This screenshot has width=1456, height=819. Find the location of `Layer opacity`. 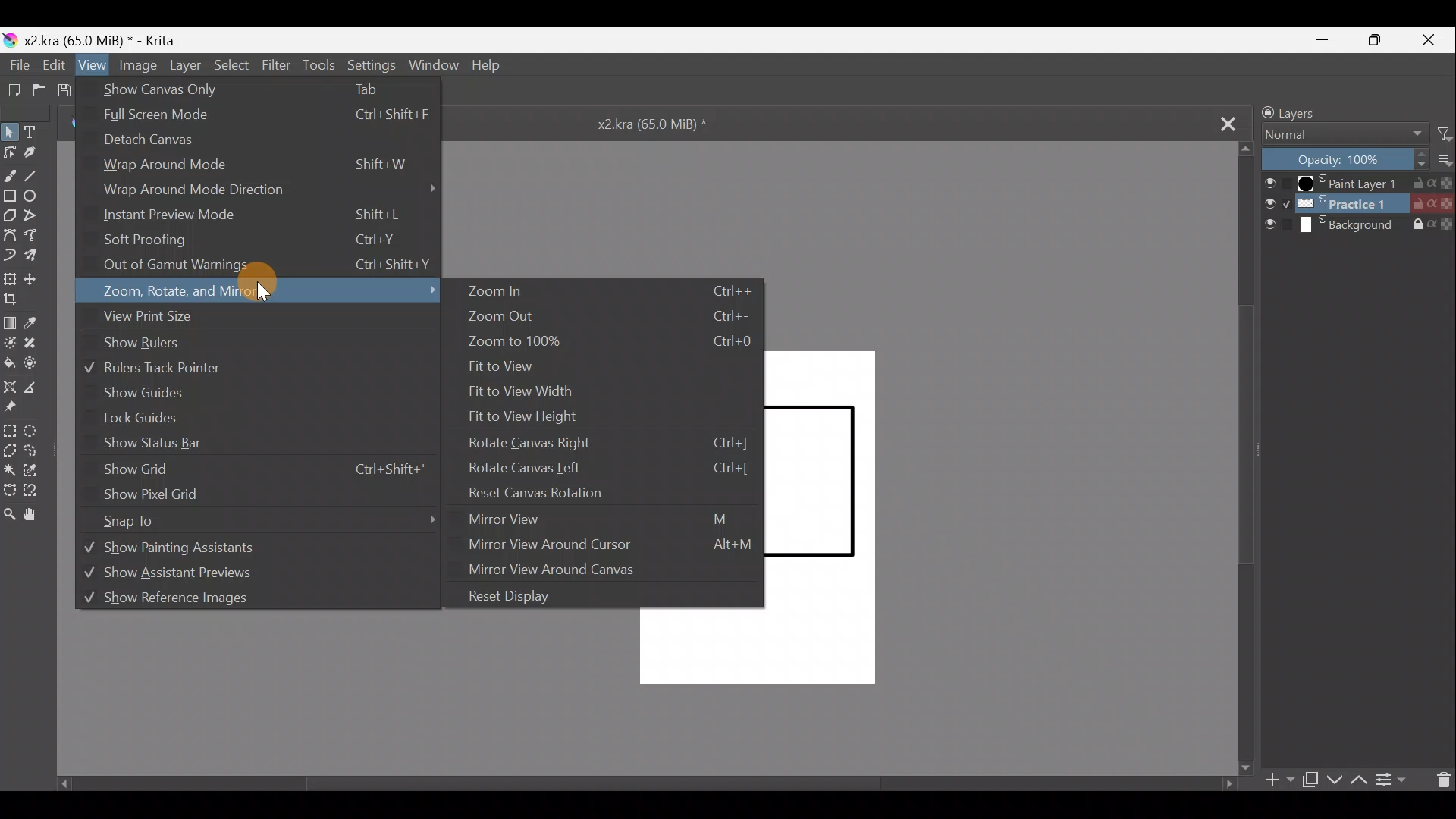

Layer opacity is located at coordinates (1346, 160).